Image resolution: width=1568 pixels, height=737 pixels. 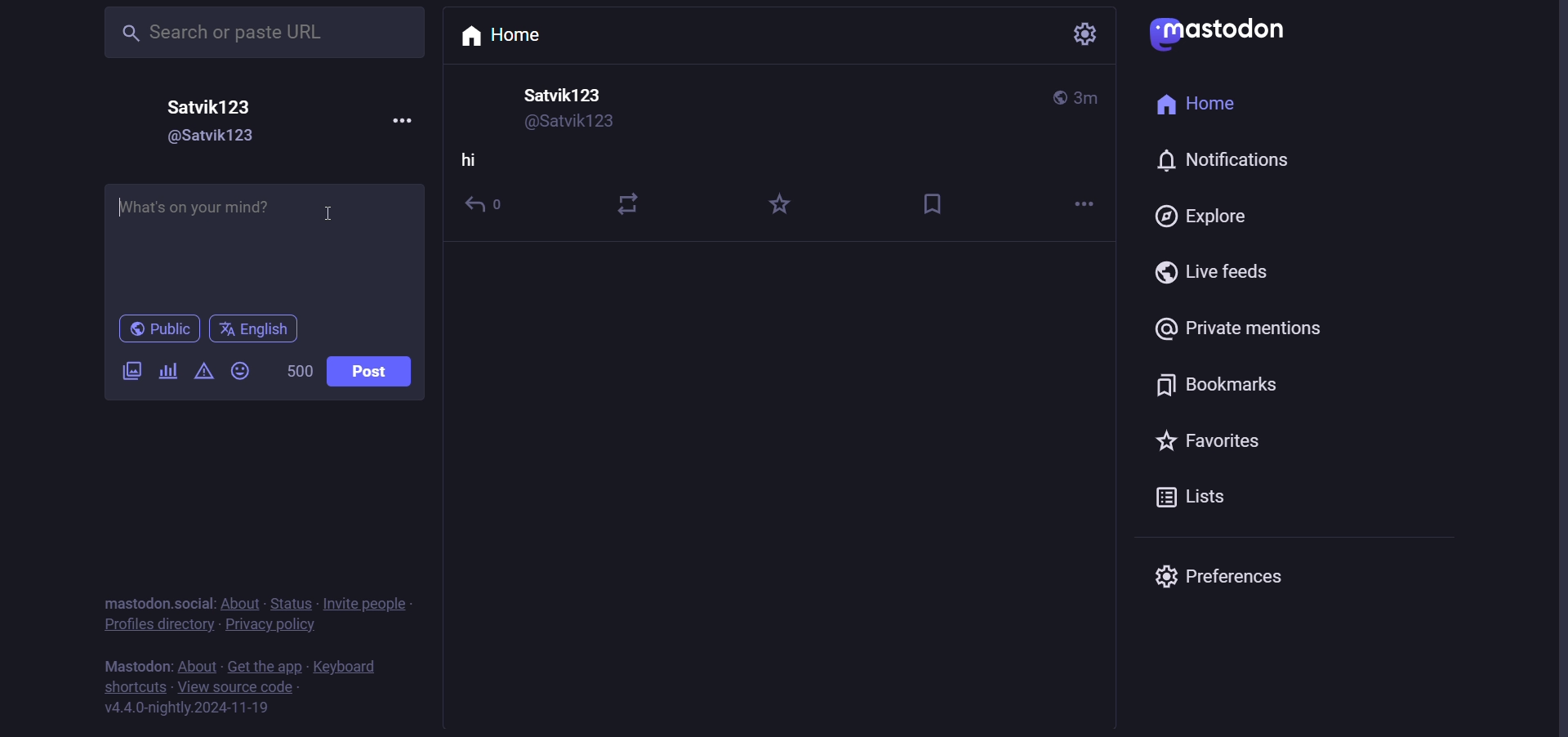 I want to click on mastodon, so click(x=1225, y=32).